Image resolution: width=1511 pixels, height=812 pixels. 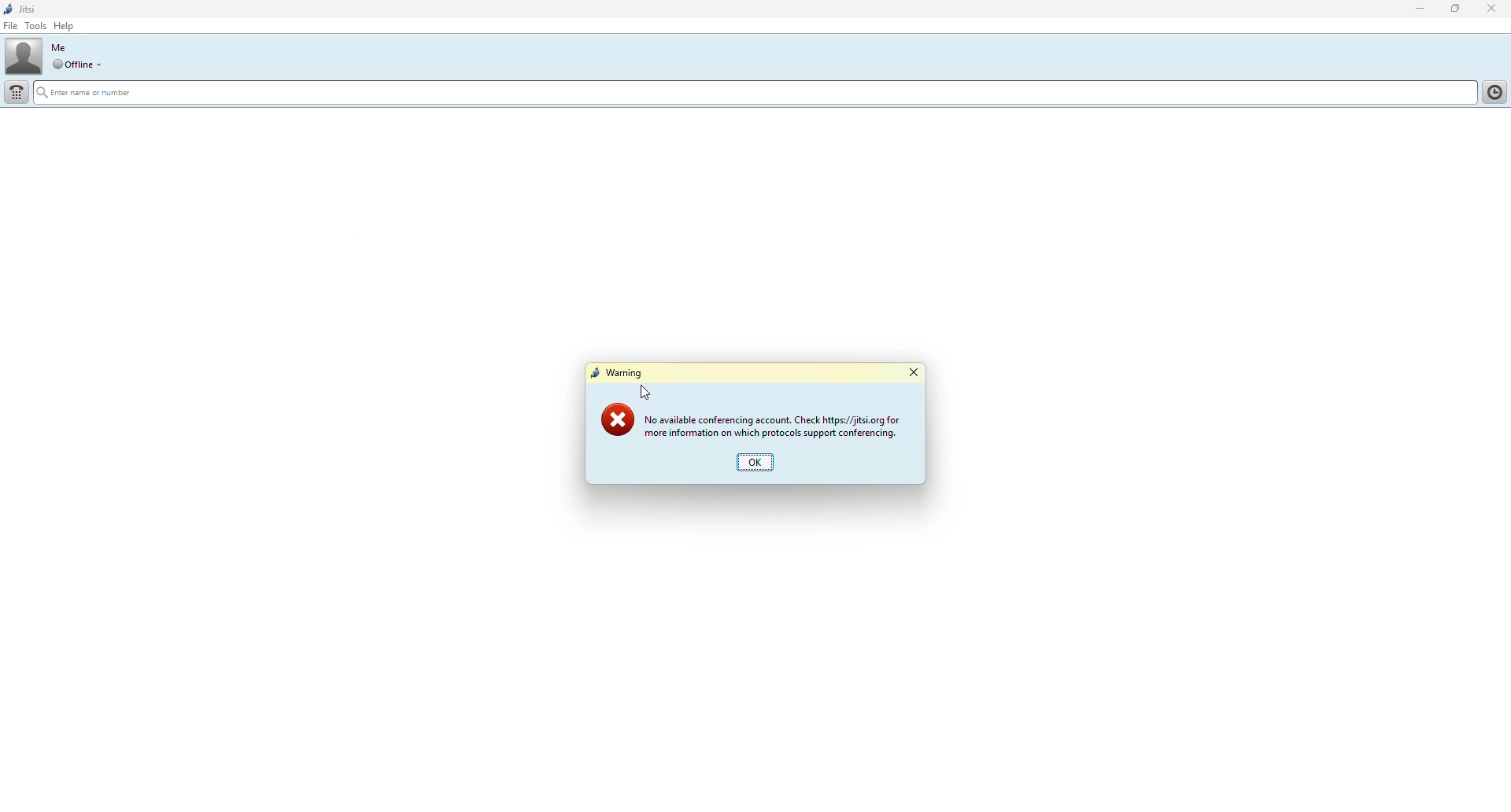 What do you see at coordinates (10, 26) in the screenshot?
I see `file` at bounding box center [10, 26].